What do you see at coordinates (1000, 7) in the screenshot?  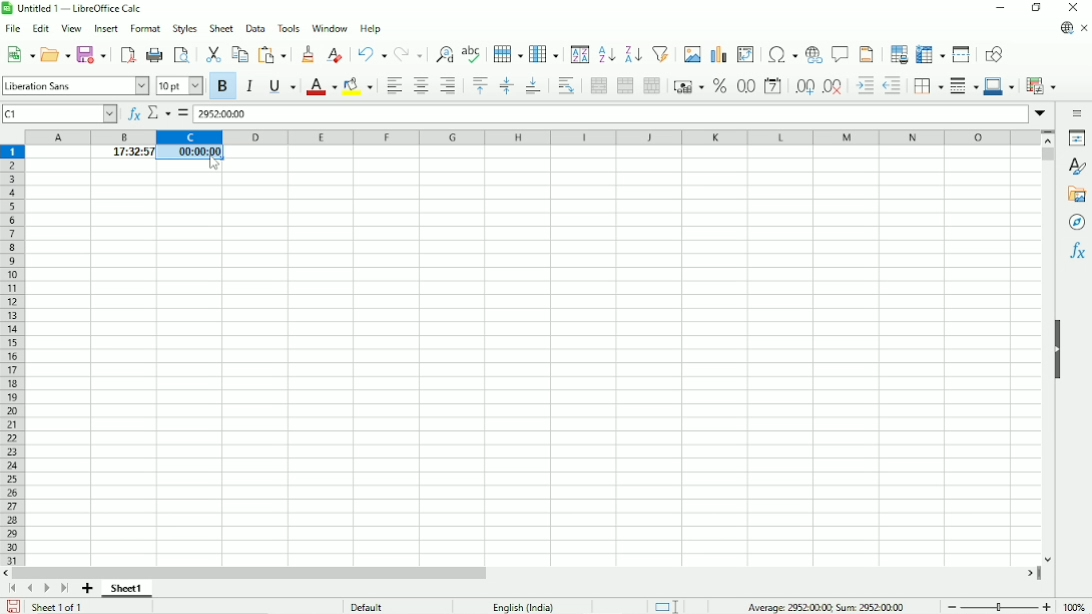 I see `Minimize` at bounding box center [1000, 7].